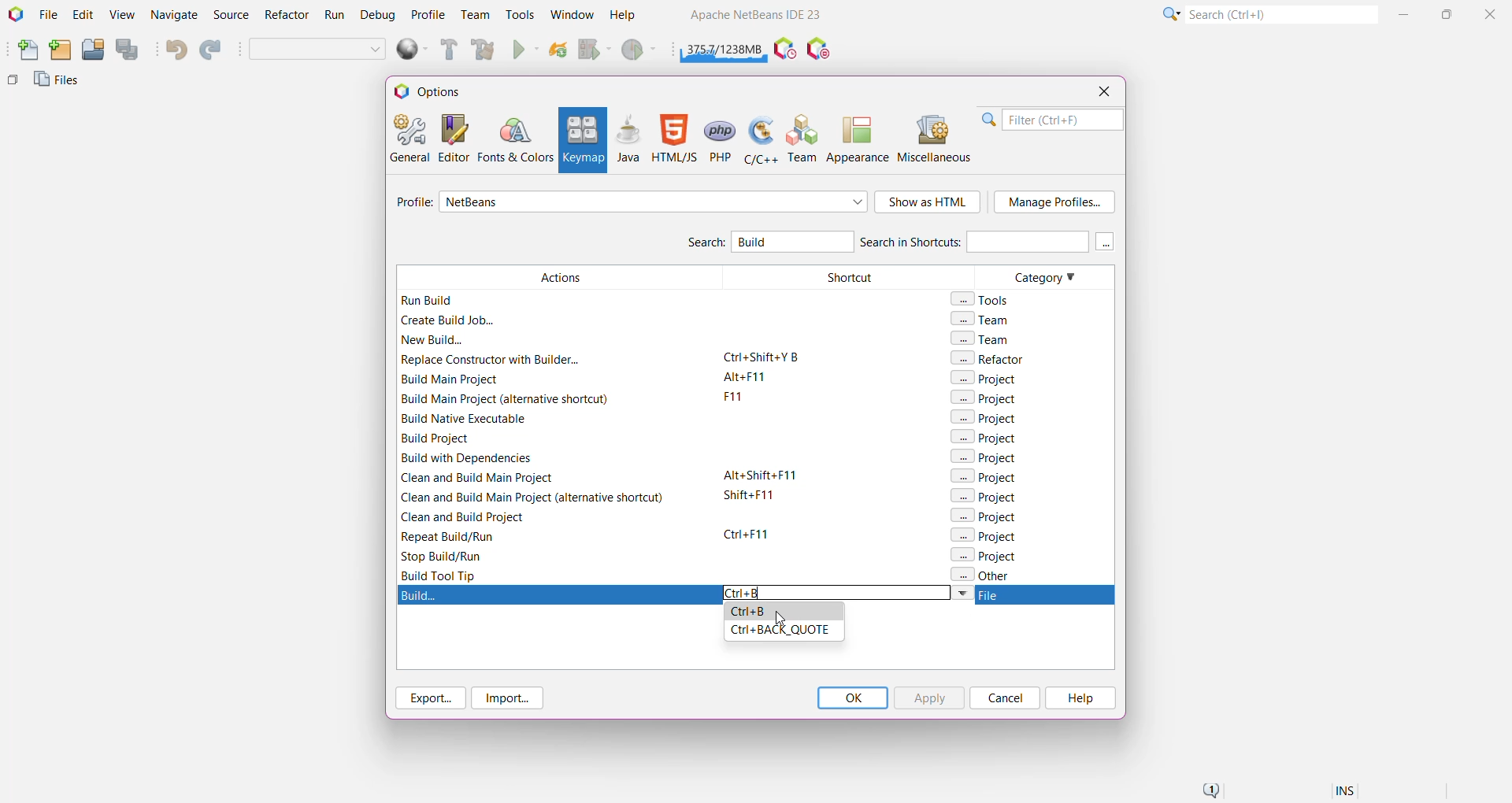 This screenshot has height=803, width=1512. What do you see at coordinates (121, 16) in the screenshot?
I see `View` at bounding box center [121, 16].